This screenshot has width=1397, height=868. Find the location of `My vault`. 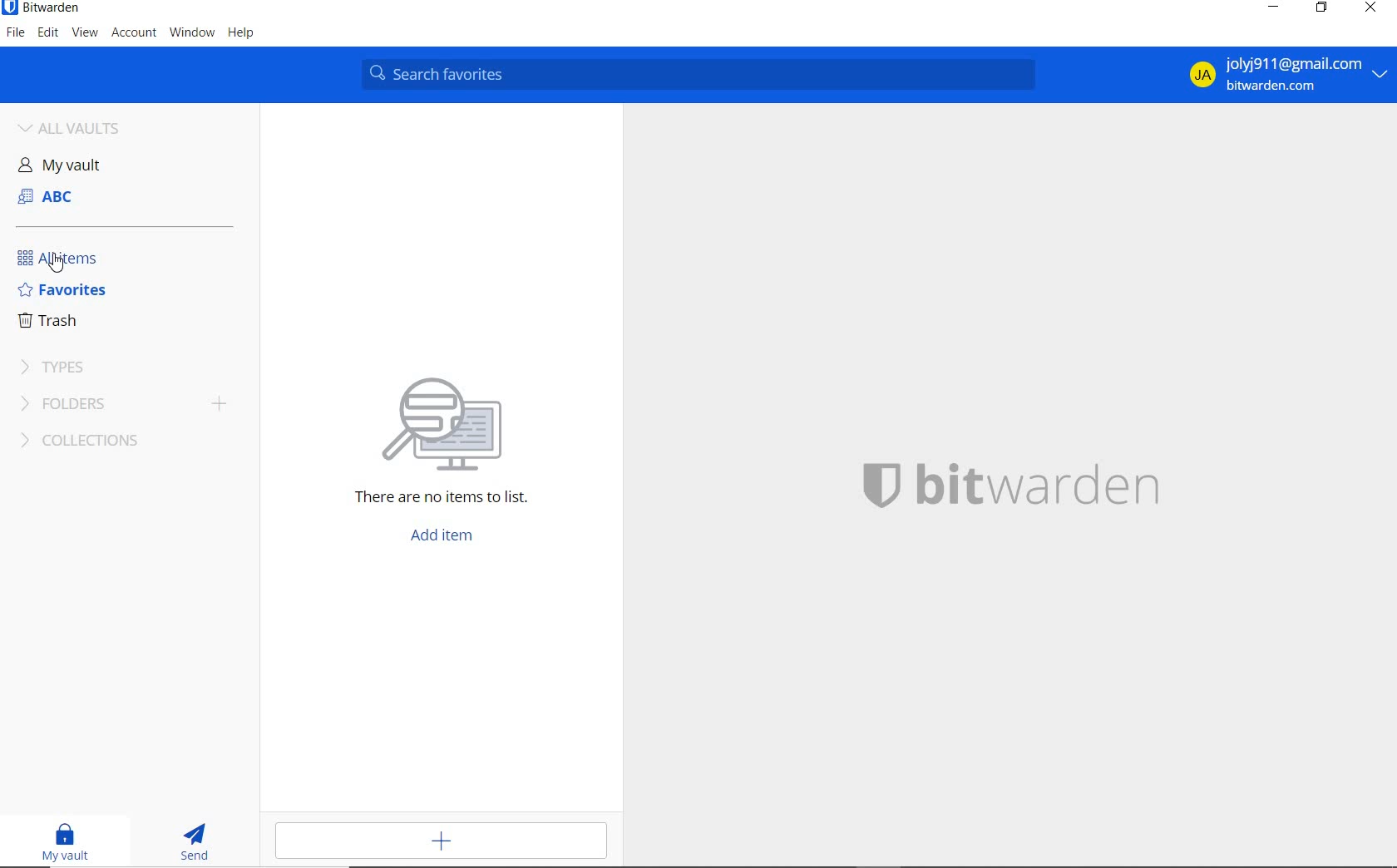

My vault is located at coordinates (74, 164).